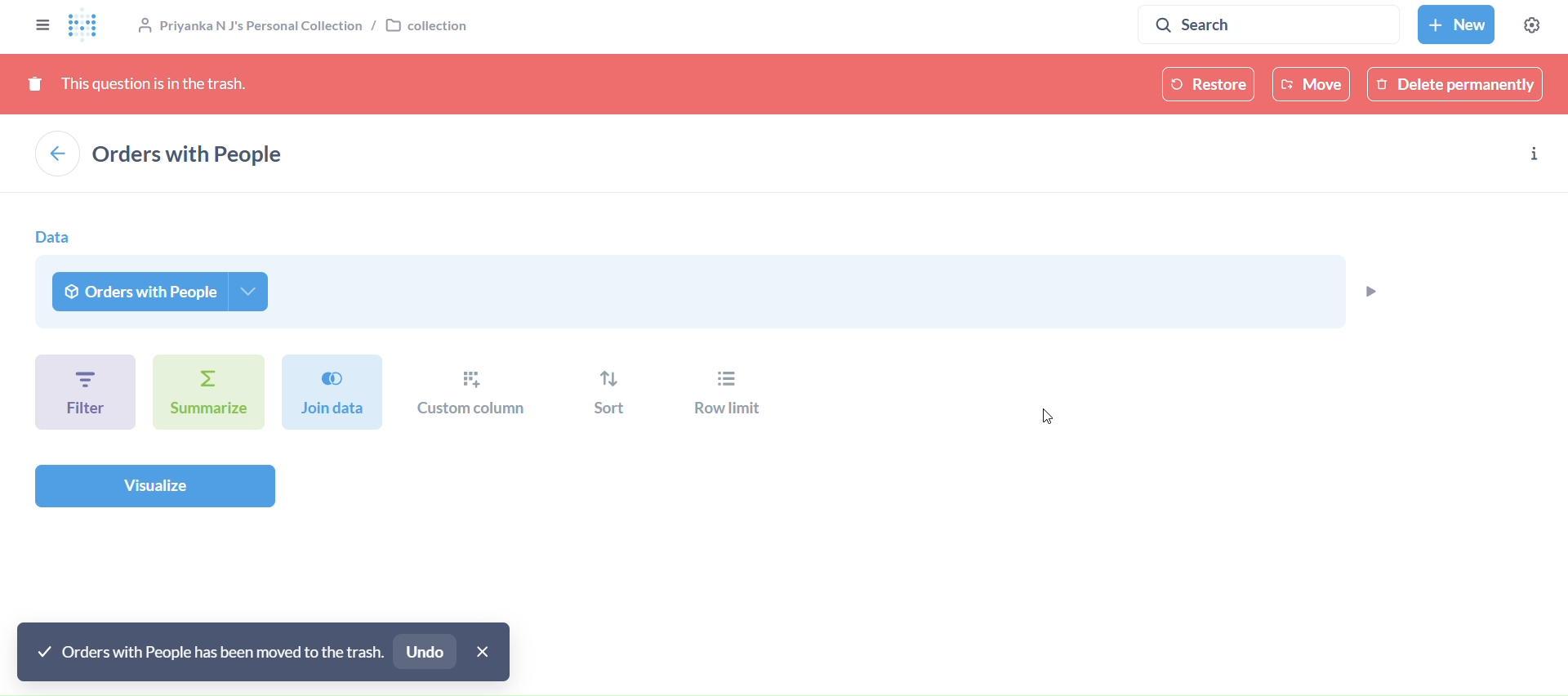 Image resolution: width=1568 pixels, height=696 pixels. I want to click on collection, so click(316, 28).